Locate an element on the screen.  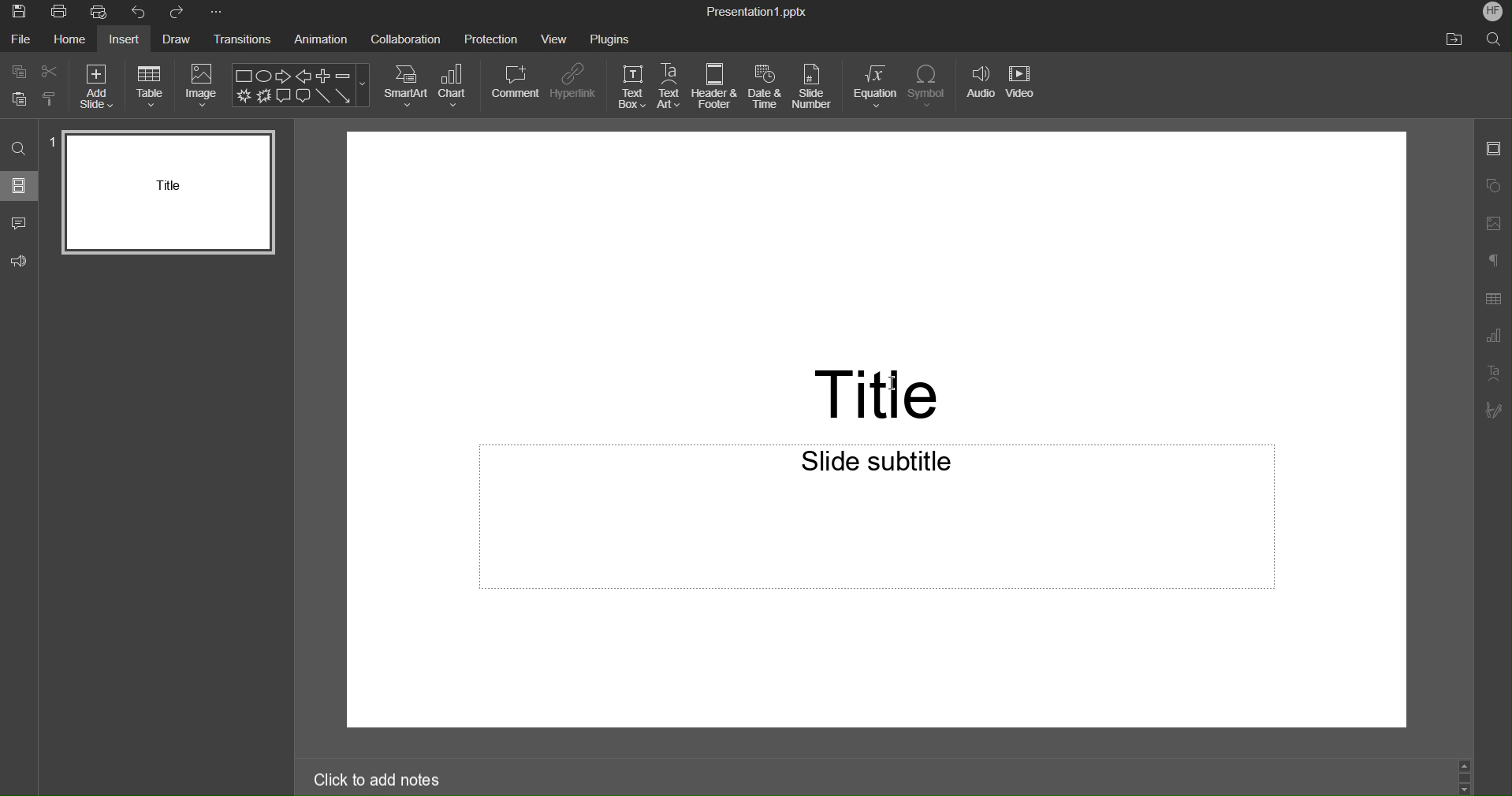
Copy is located at coordinates (18, 73).